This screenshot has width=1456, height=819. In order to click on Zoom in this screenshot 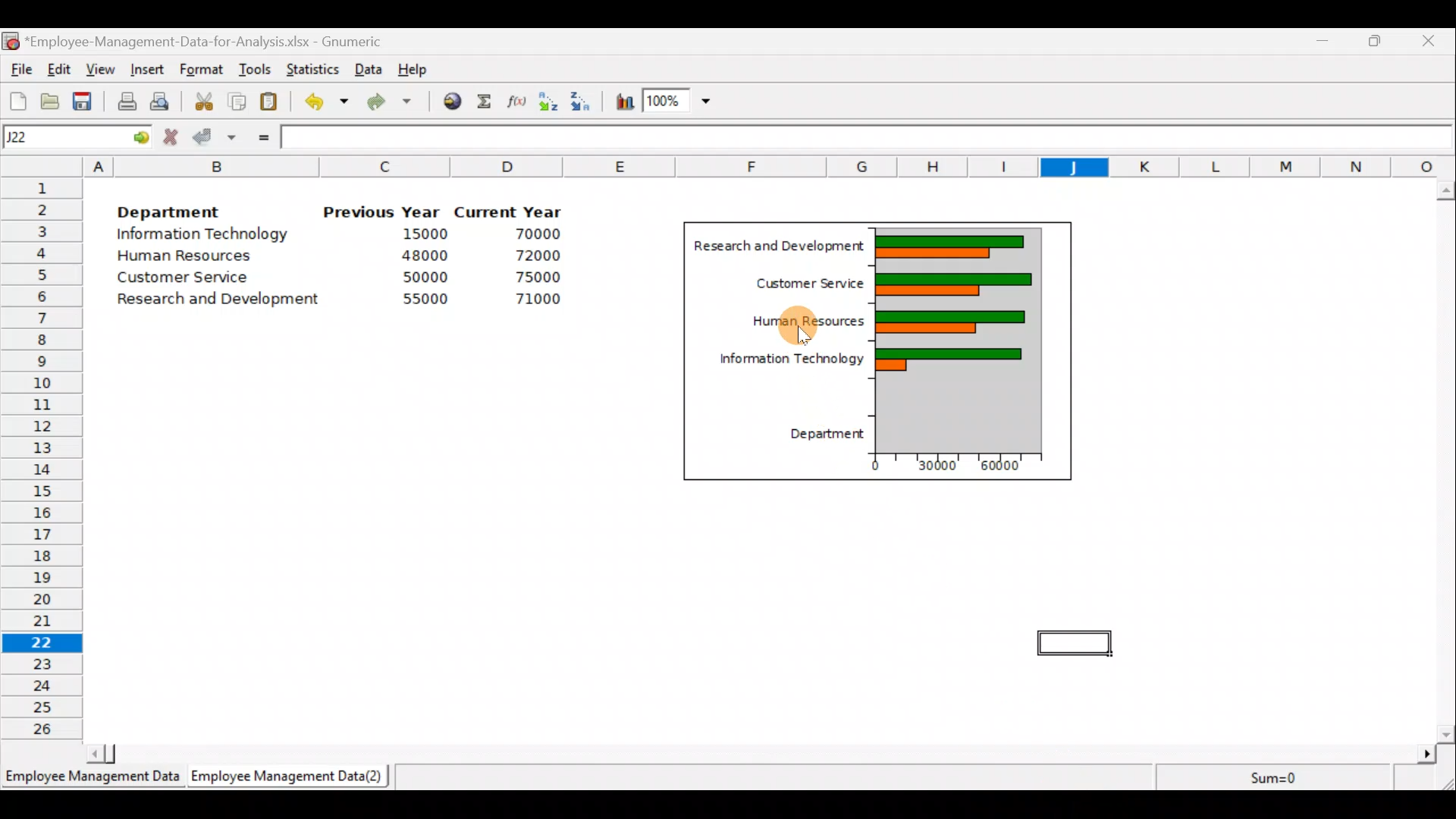, I will do `click(675, 102)`.